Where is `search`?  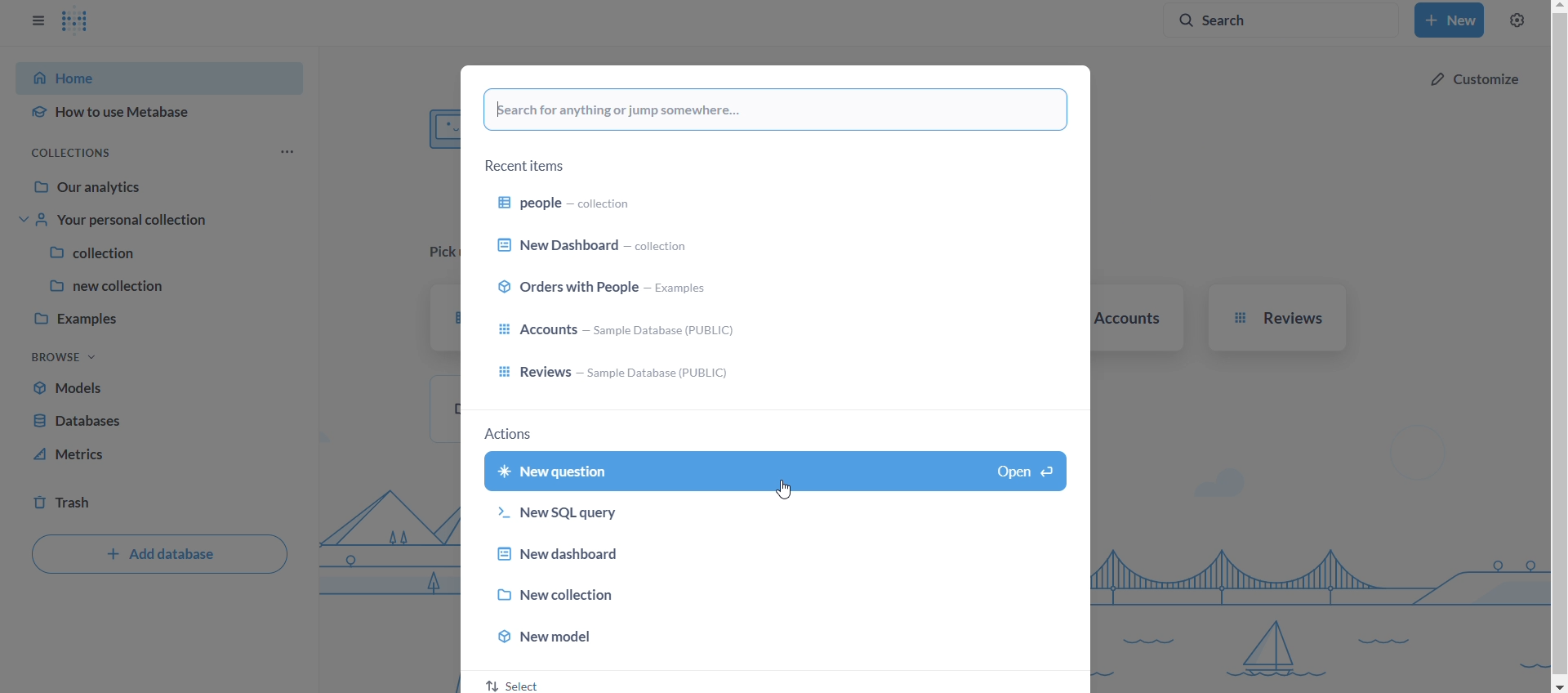
search is located at coordinates (1271, 20).